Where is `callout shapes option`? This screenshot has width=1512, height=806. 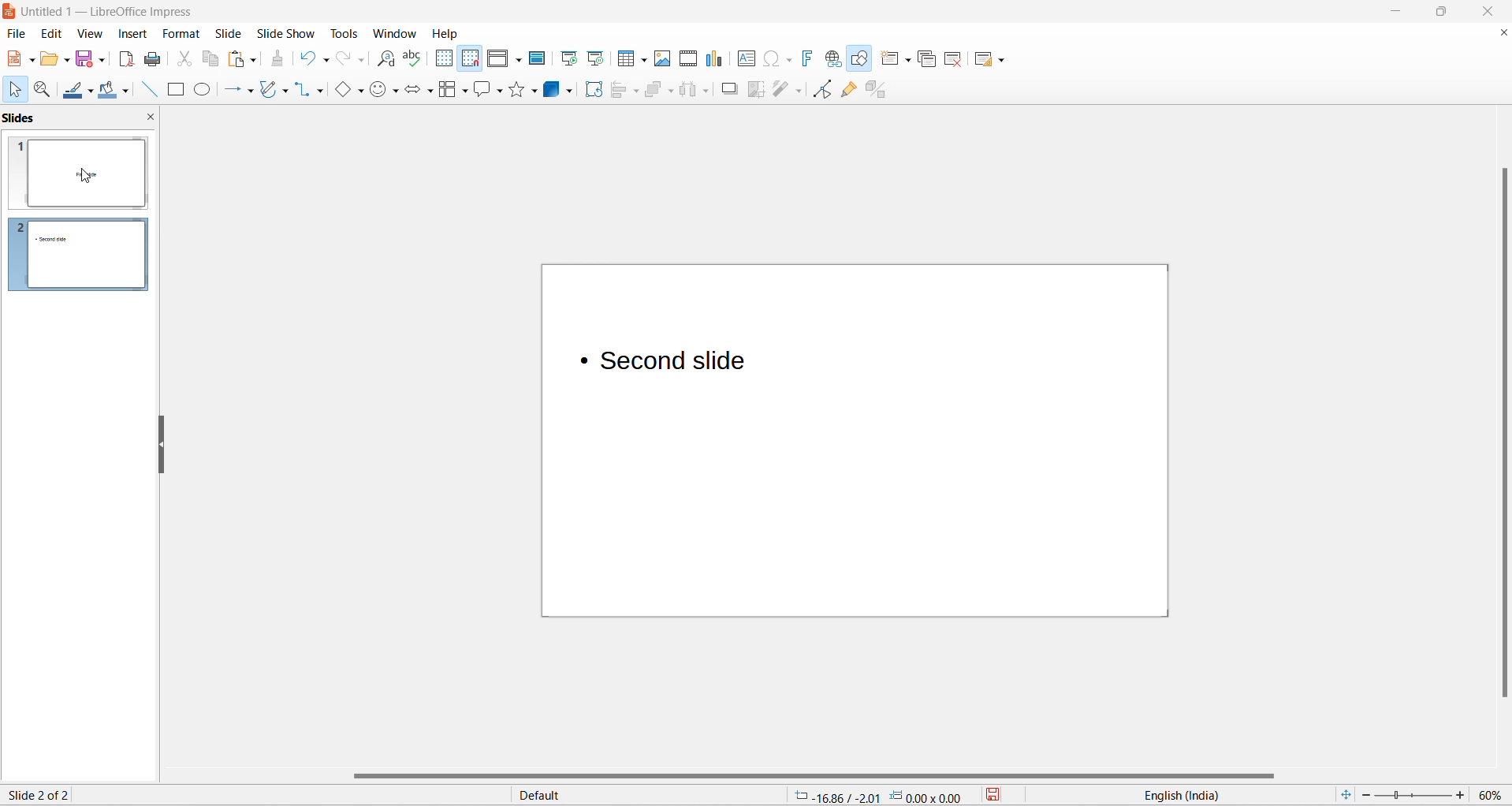
callout shapes option is located at coordinates (497, 89).